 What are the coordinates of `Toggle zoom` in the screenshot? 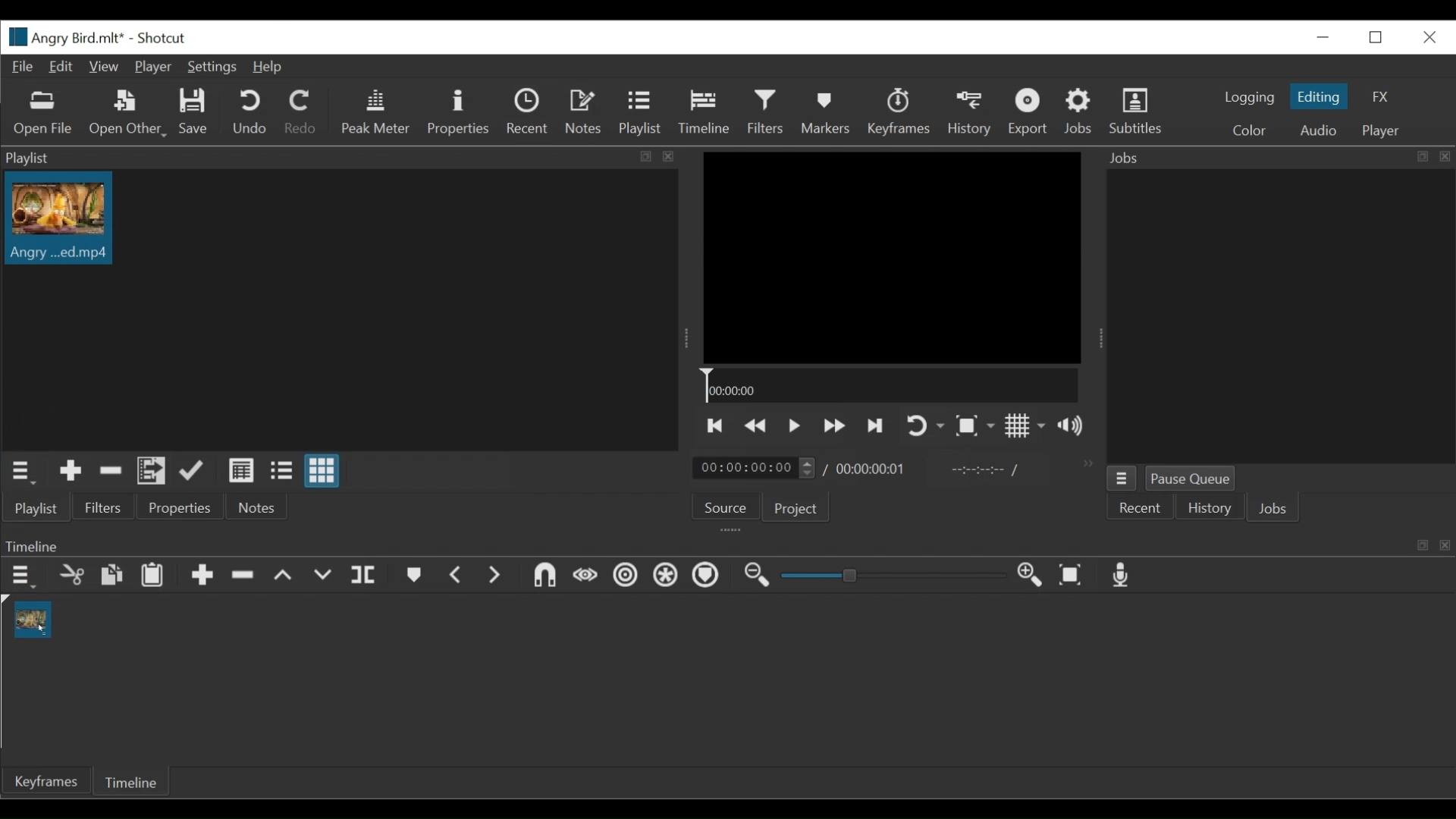 It's located at (977, 428).